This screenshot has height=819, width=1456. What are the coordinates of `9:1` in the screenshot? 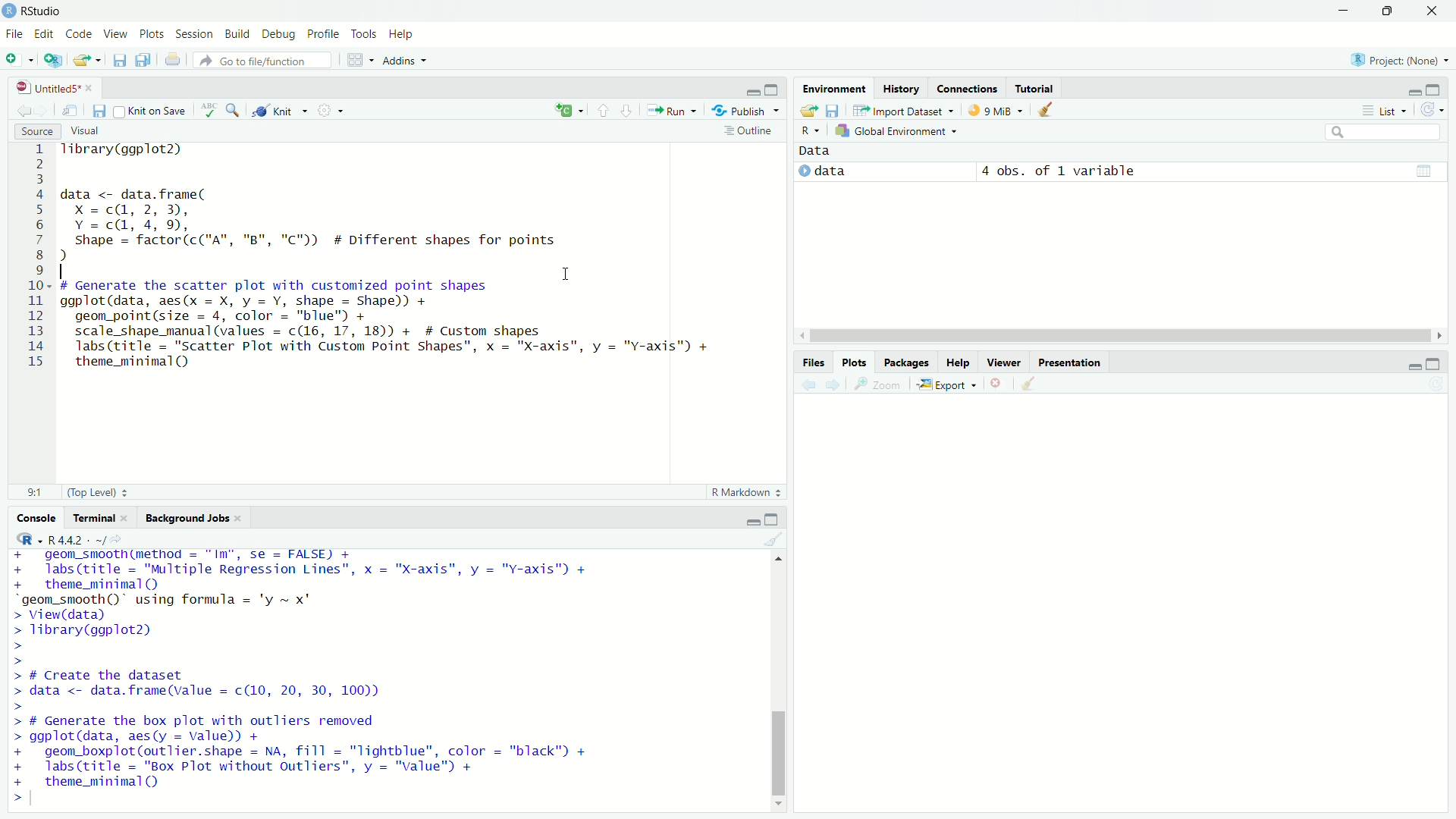 It's located at (33, 492).